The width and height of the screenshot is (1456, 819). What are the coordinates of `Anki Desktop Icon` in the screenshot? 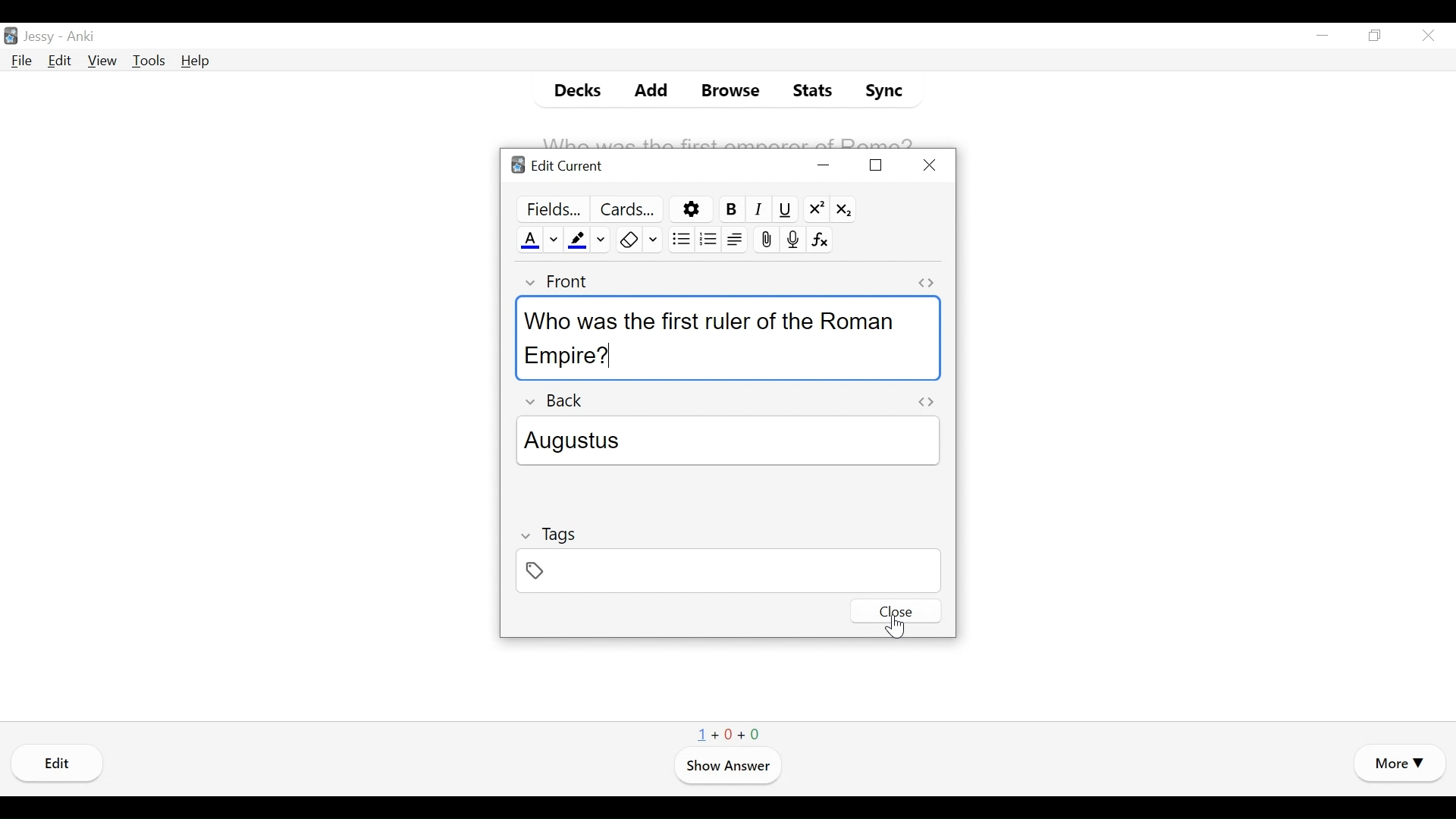 It's located at (11, 35).